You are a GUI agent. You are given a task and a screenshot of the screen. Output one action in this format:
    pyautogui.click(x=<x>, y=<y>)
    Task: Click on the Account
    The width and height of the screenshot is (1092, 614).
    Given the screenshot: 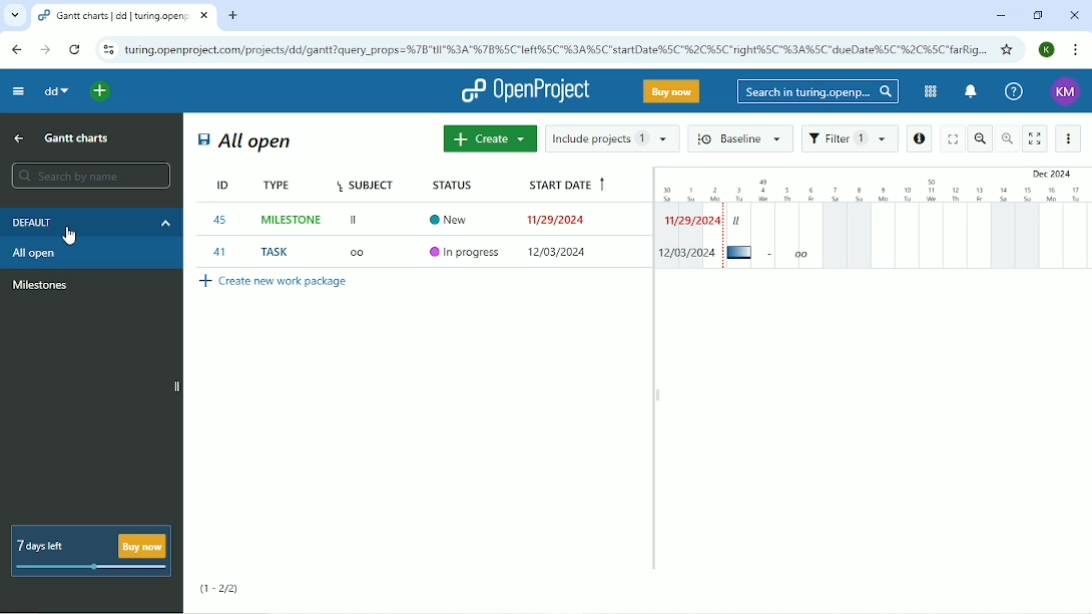 What is the action you would take?
    pyautogui.click(x=1065, y=92)
    